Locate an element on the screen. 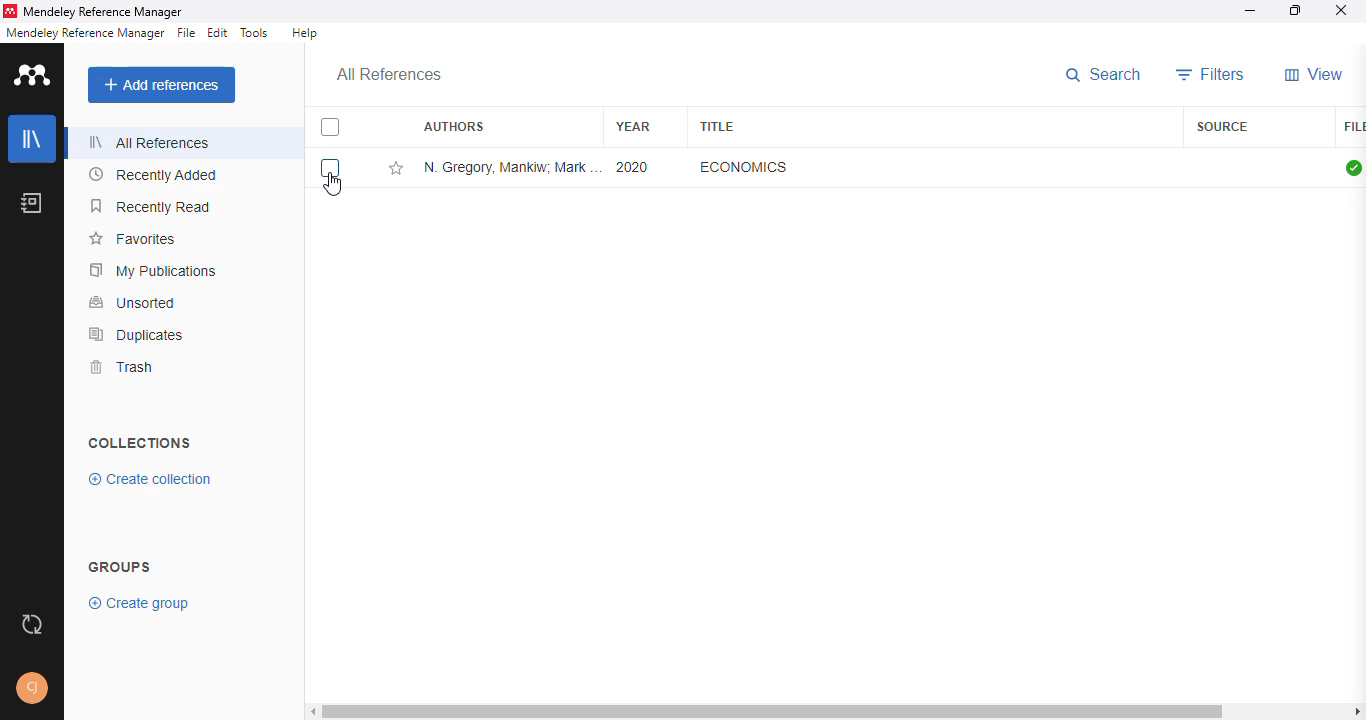 The image size is (1366, 720). tools is located at coordinates (254, 32).